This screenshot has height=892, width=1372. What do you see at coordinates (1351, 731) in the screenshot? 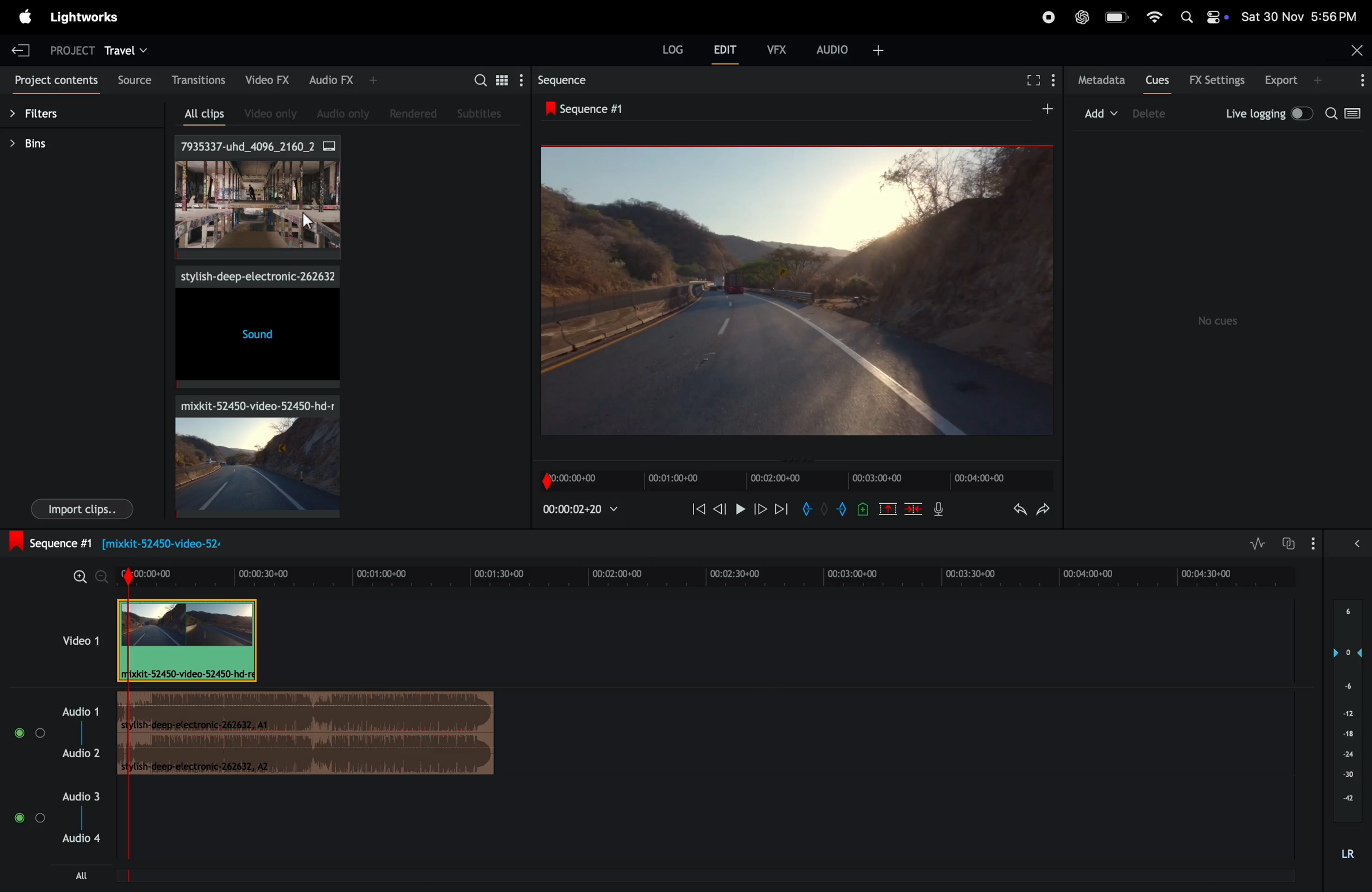
I see `audio pitch` at bounding box center [1351, 731].